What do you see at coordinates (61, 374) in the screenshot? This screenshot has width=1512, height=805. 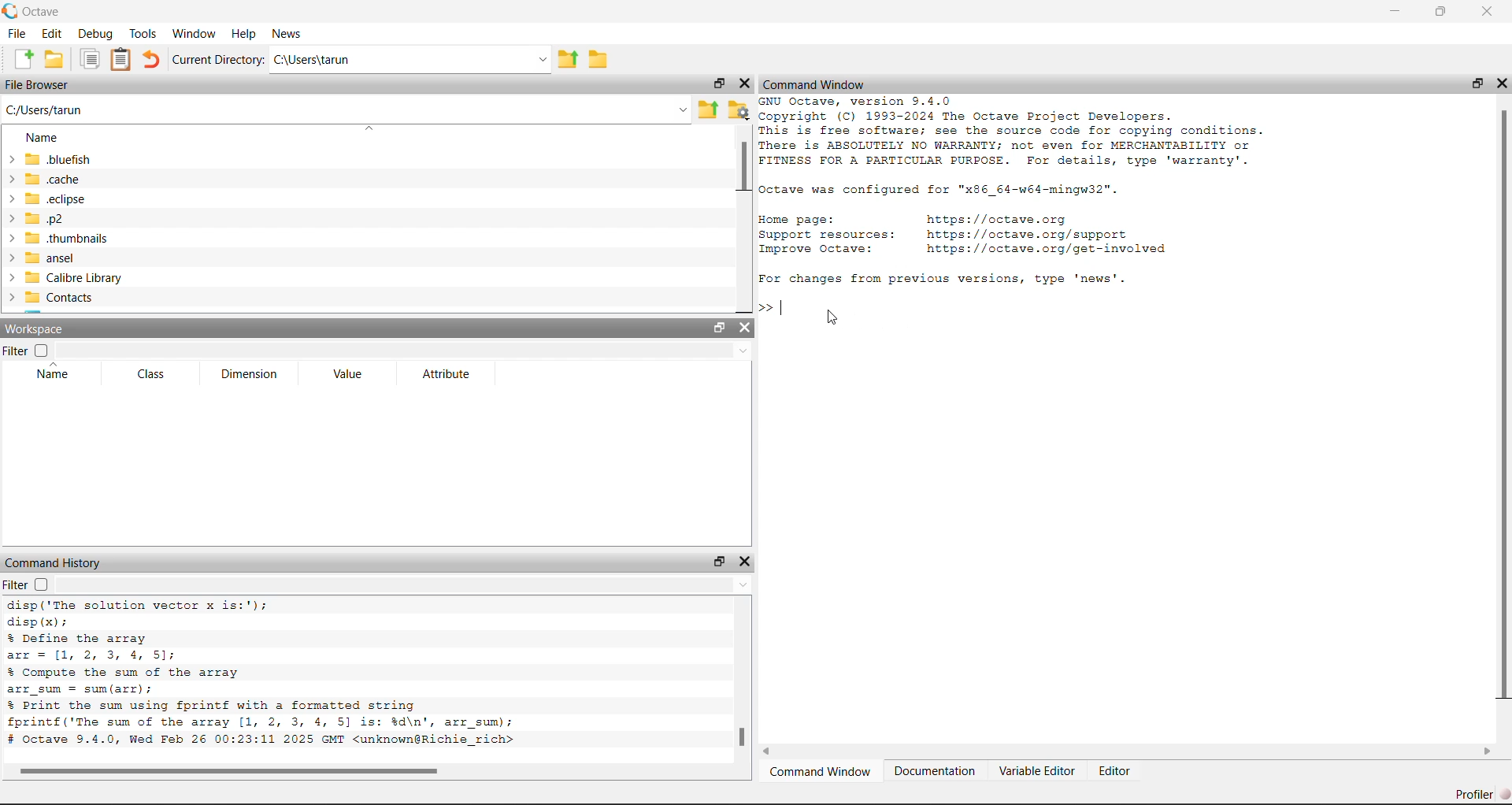 I see `Name` at bounding box center [61, 374].